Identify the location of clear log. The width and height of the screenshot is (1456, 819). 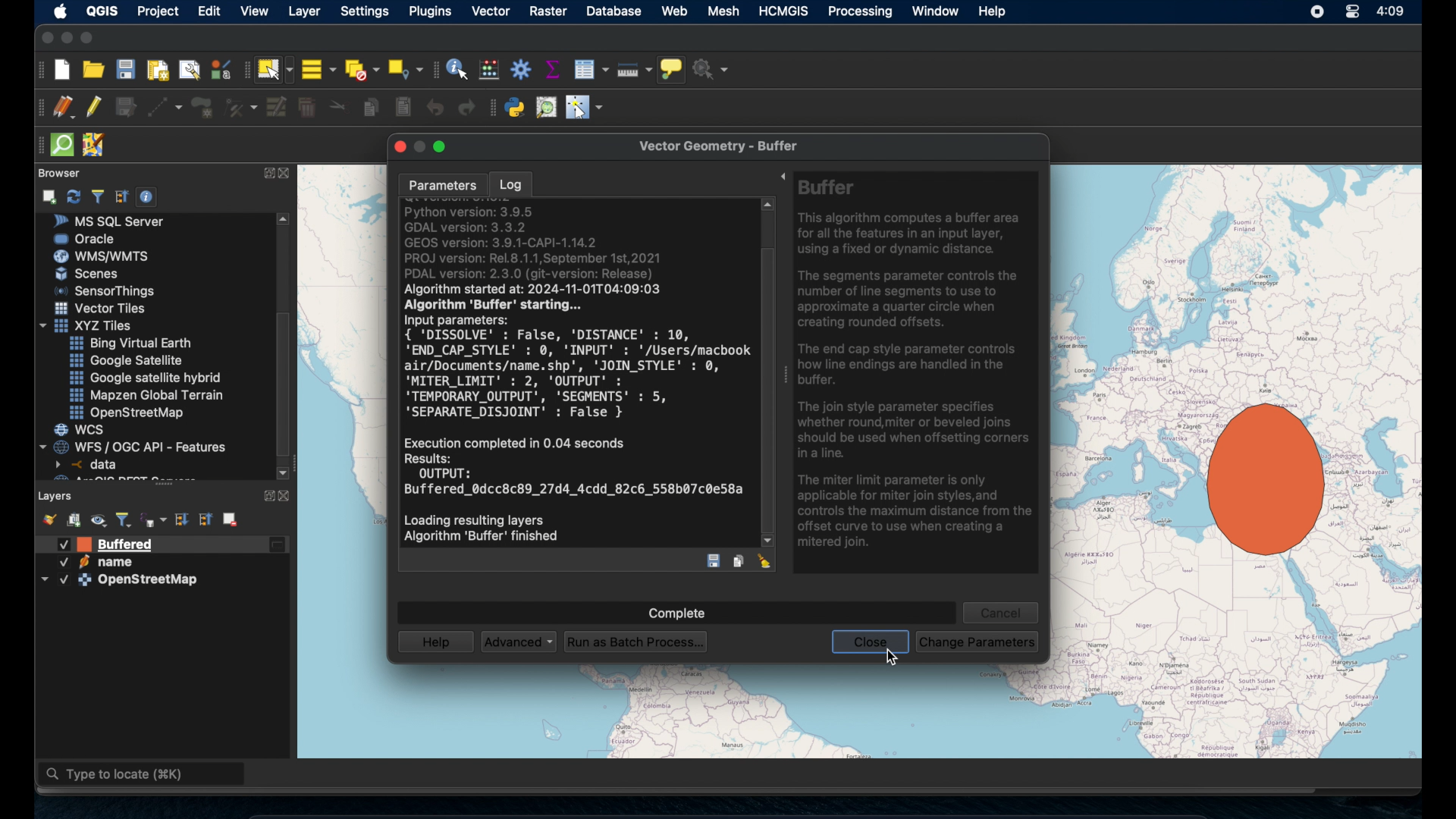
(767, 561).